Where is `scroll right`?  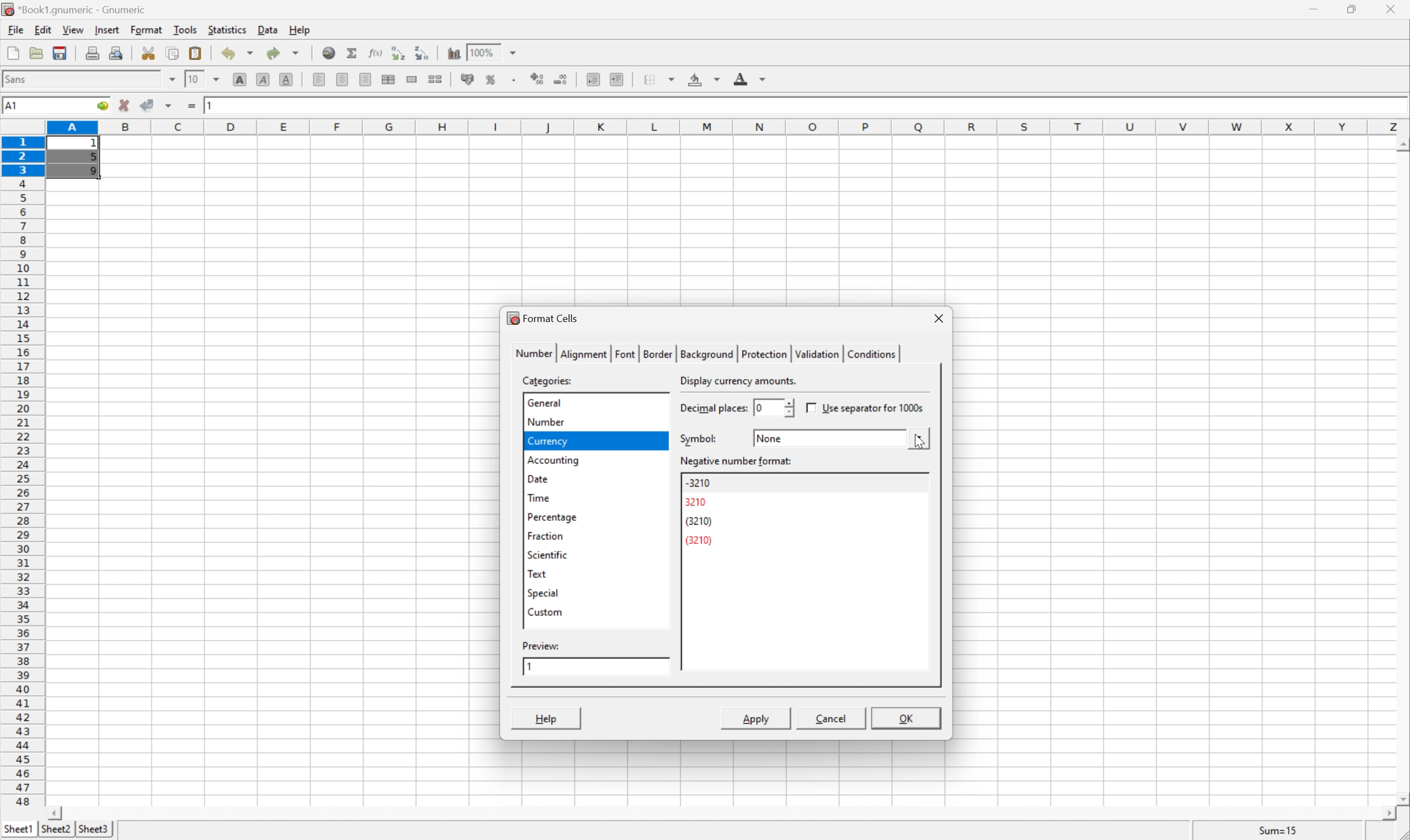 scroll right is located at coordinates (1388, 814).